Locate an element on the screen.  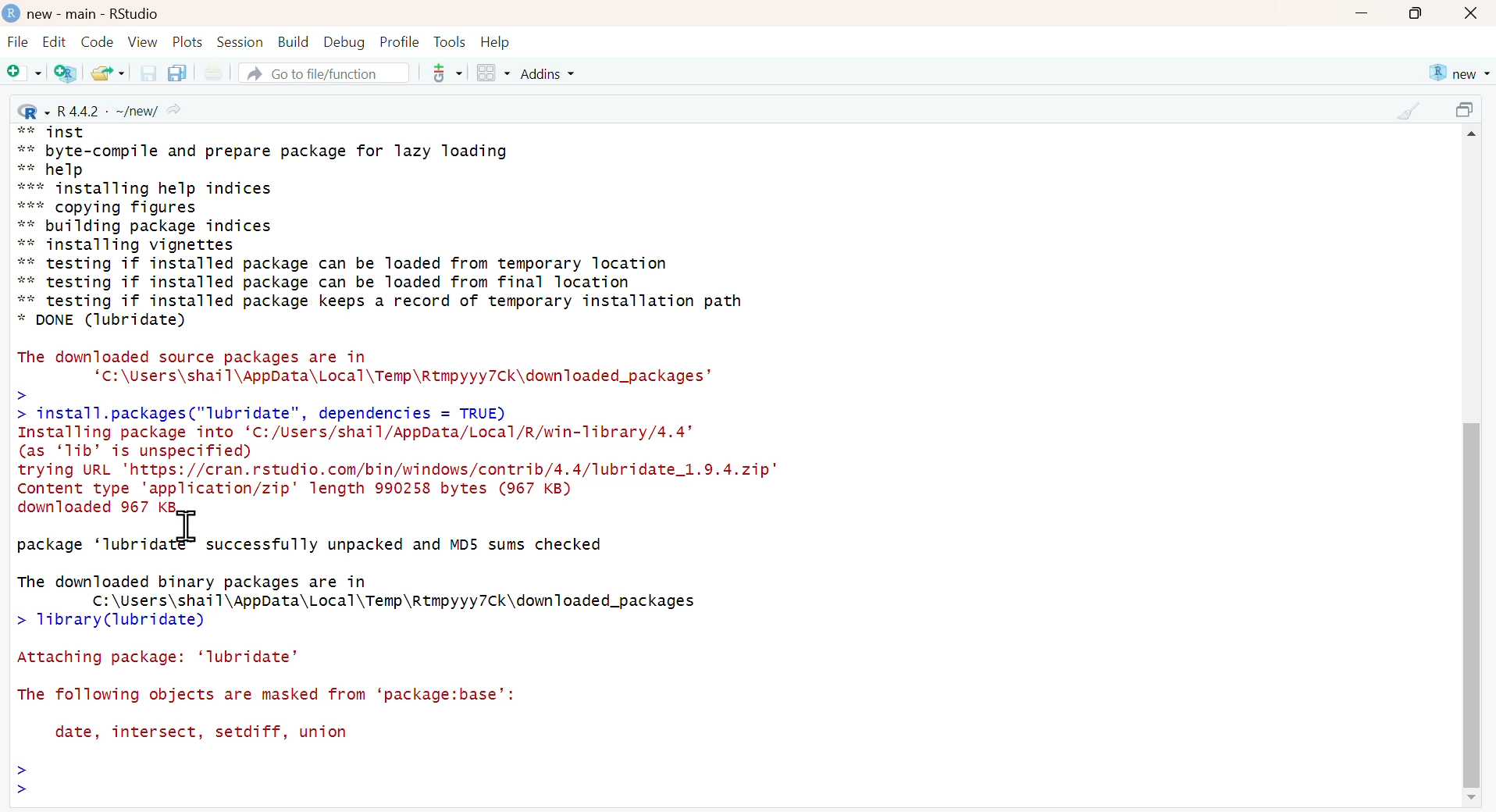
The downloaded source packages are in‘C:\Users\shail\AppData\Local\Temp\Rtmpyyy7Ck\downloaded_packages’> is located at coordinates (368, 373).